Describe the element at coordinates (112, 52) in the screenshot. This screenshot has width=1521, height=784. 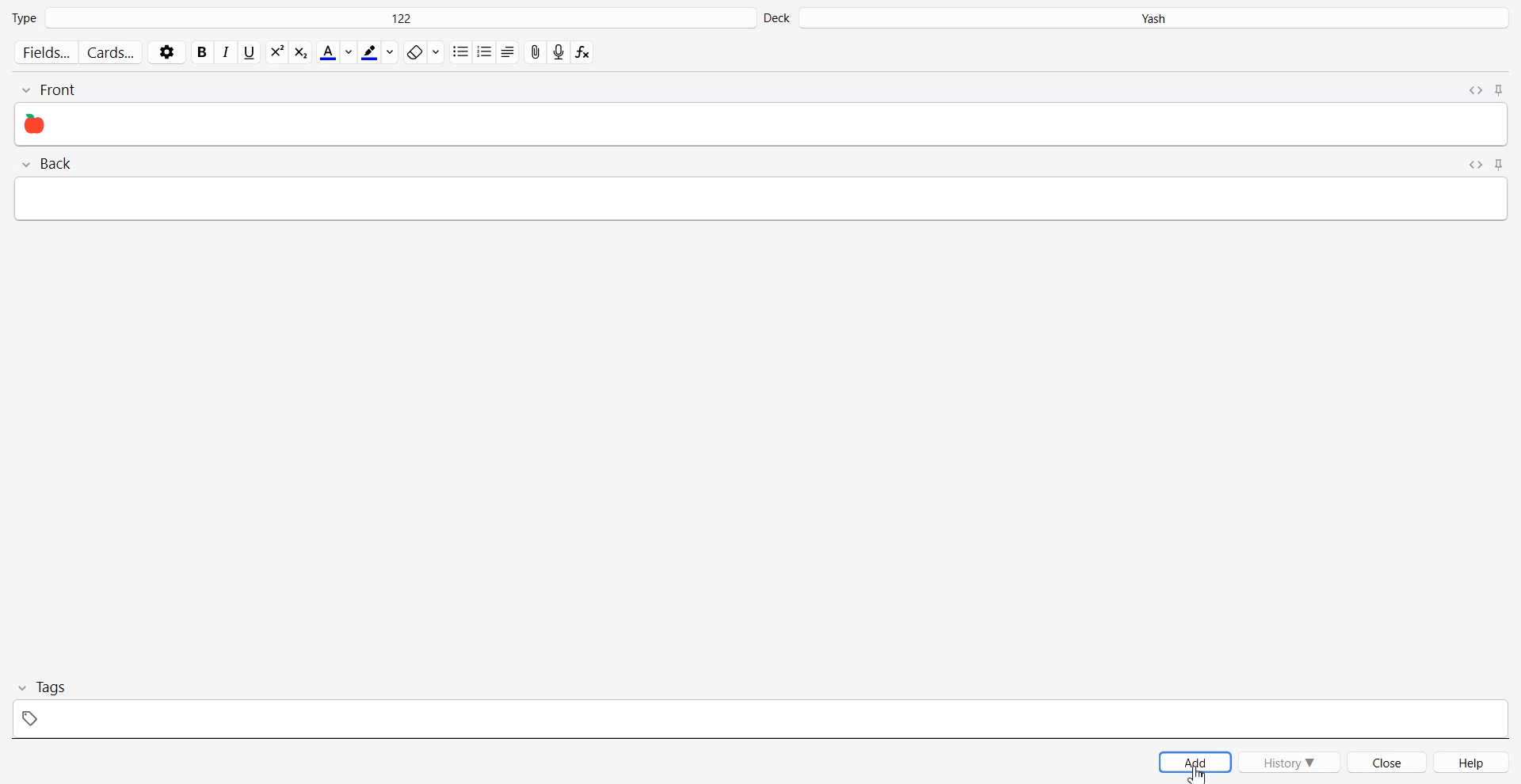
I see `Cards` at that location.